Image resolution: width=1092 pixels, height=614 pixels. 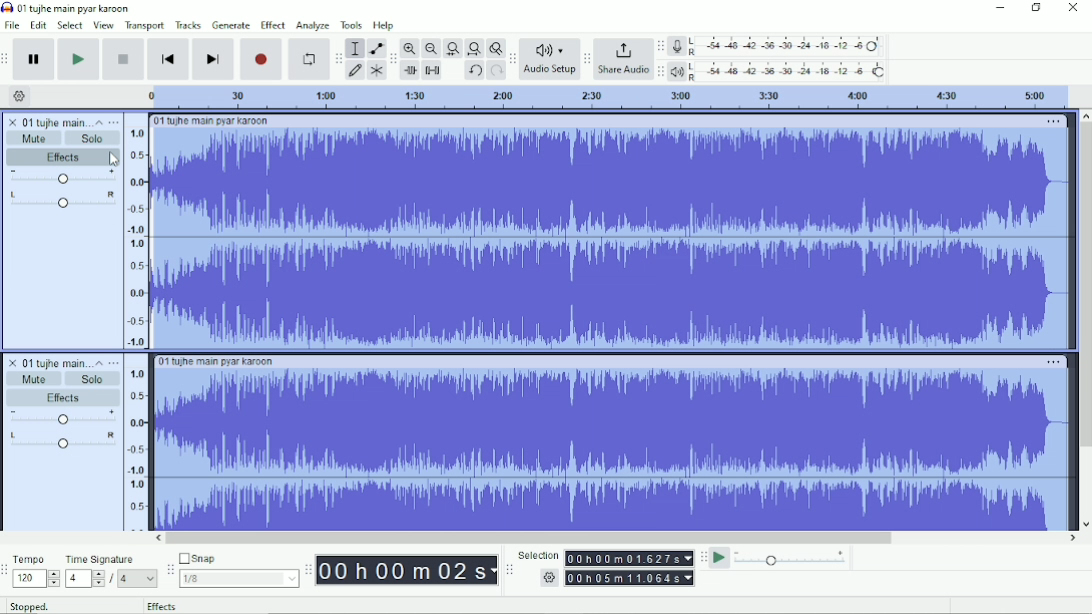 What do you see at coordinates (613, 449) in the screenshot?
I see `Audio` at bounding box center [613, 449].